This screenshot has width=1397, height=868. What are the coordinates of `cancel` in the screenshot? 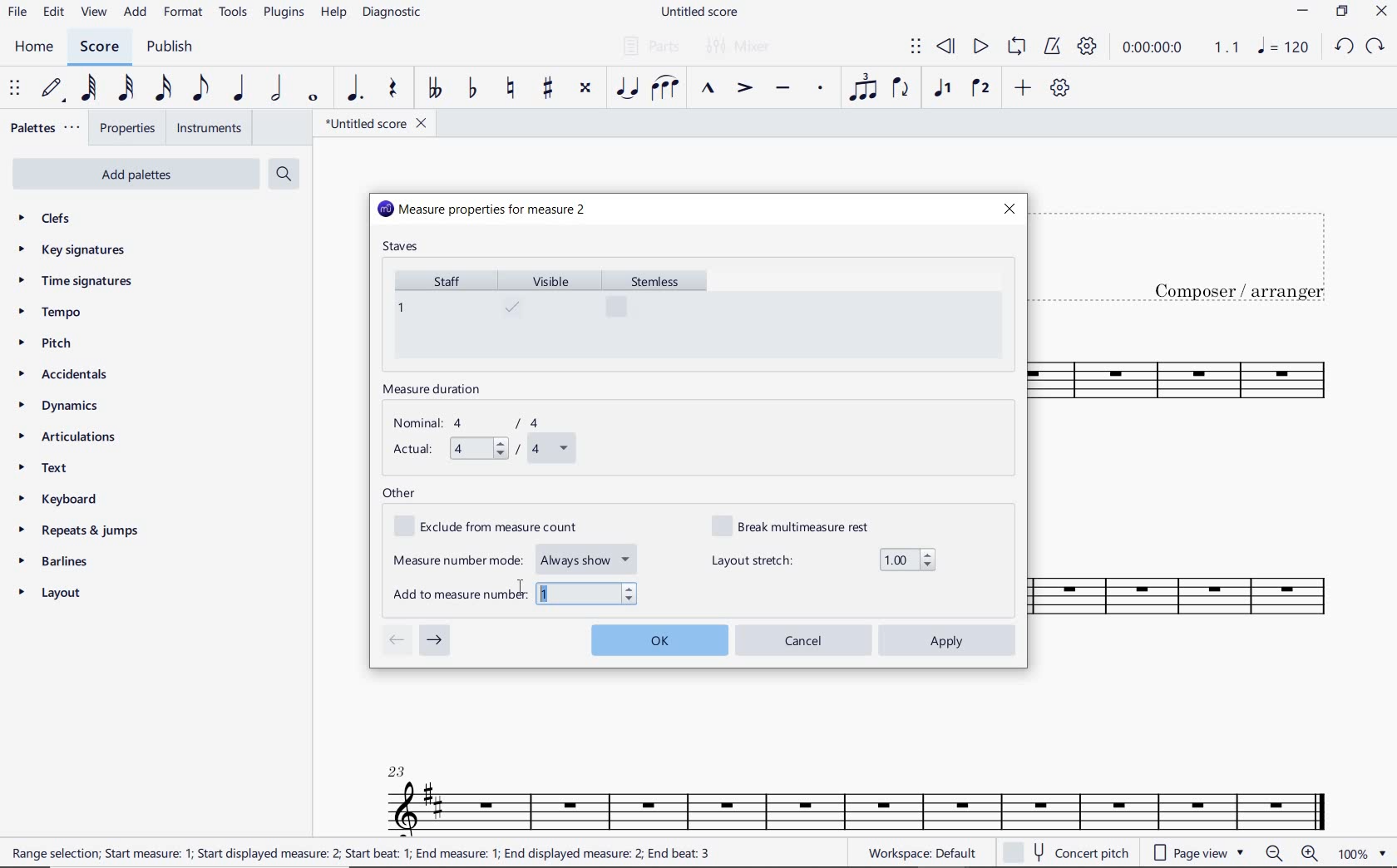 It's located at (804, 639).